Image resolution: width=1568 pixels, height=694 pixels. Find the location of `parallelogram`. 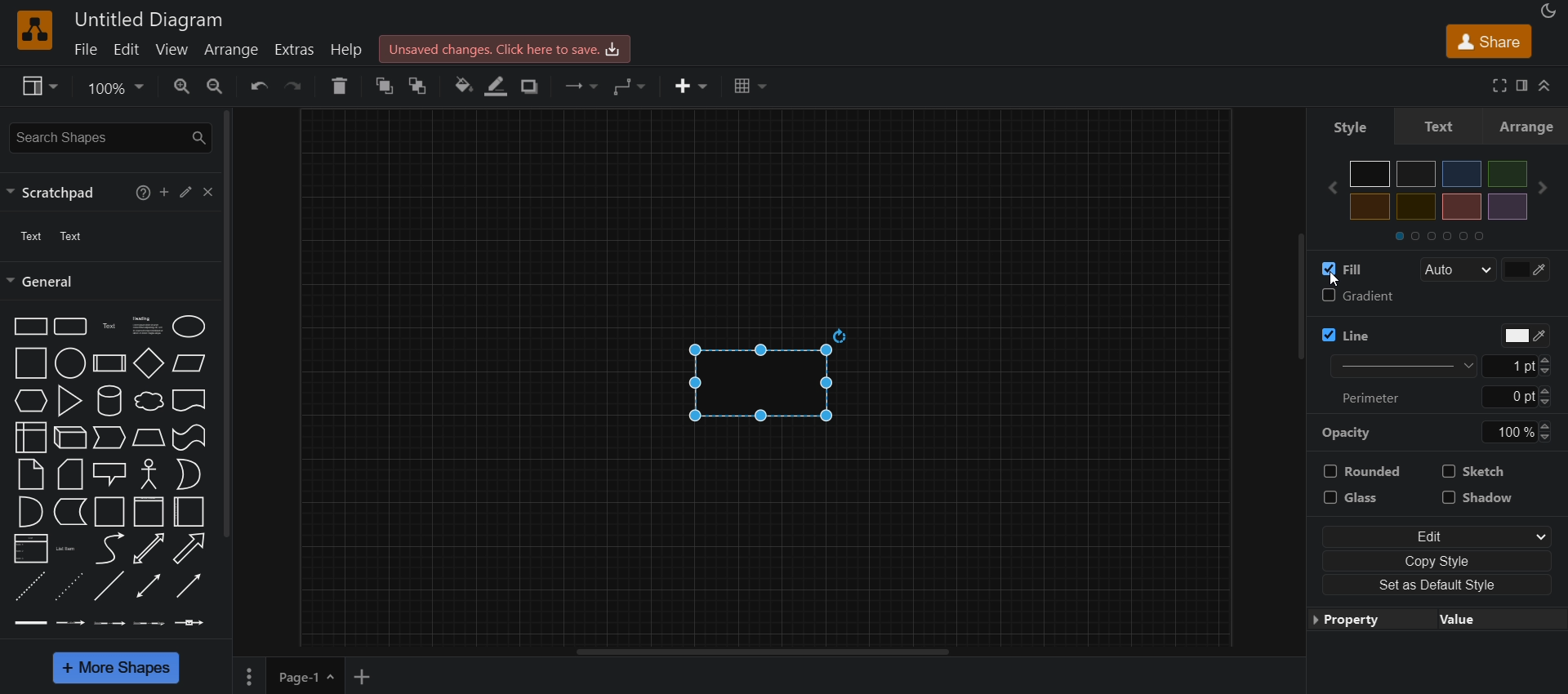

parallelogram is located at coordinates (192, 365).